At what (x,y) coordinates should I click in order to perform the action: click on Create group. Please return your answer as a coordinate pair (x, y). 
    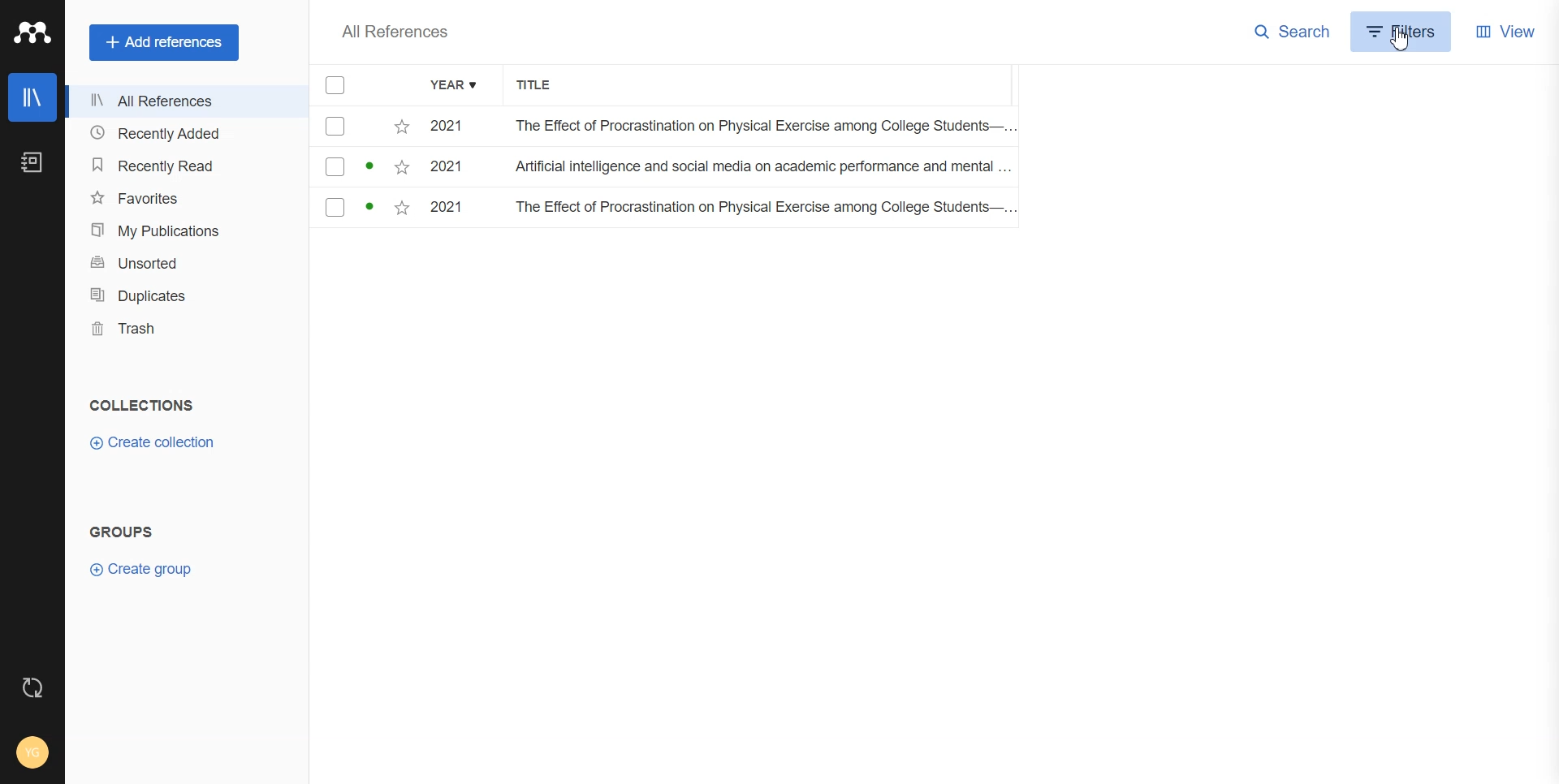
    Looking at the image, I should click on (140, 569).